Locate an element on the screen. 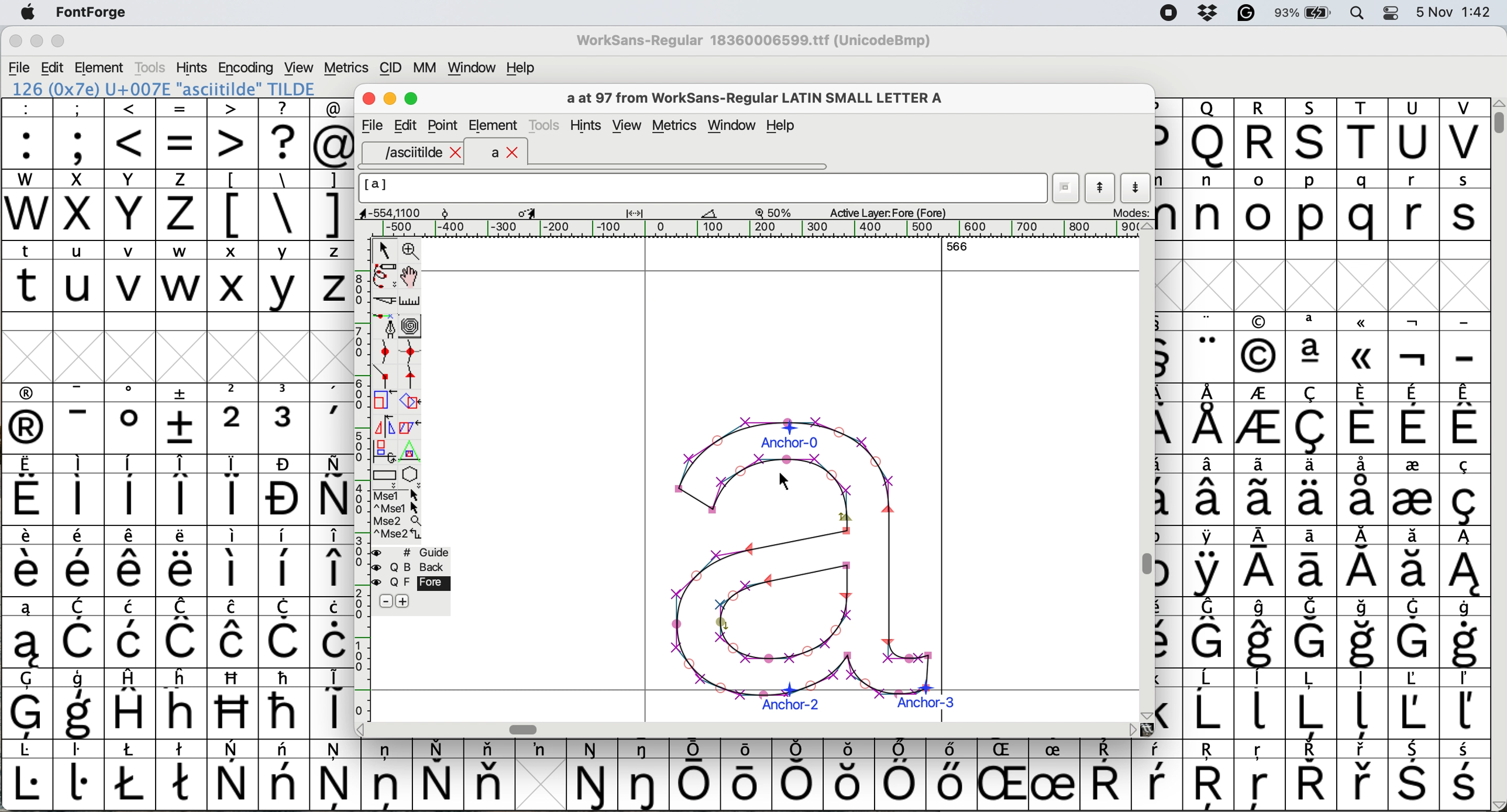  s is located at coordinates (1465, 205).